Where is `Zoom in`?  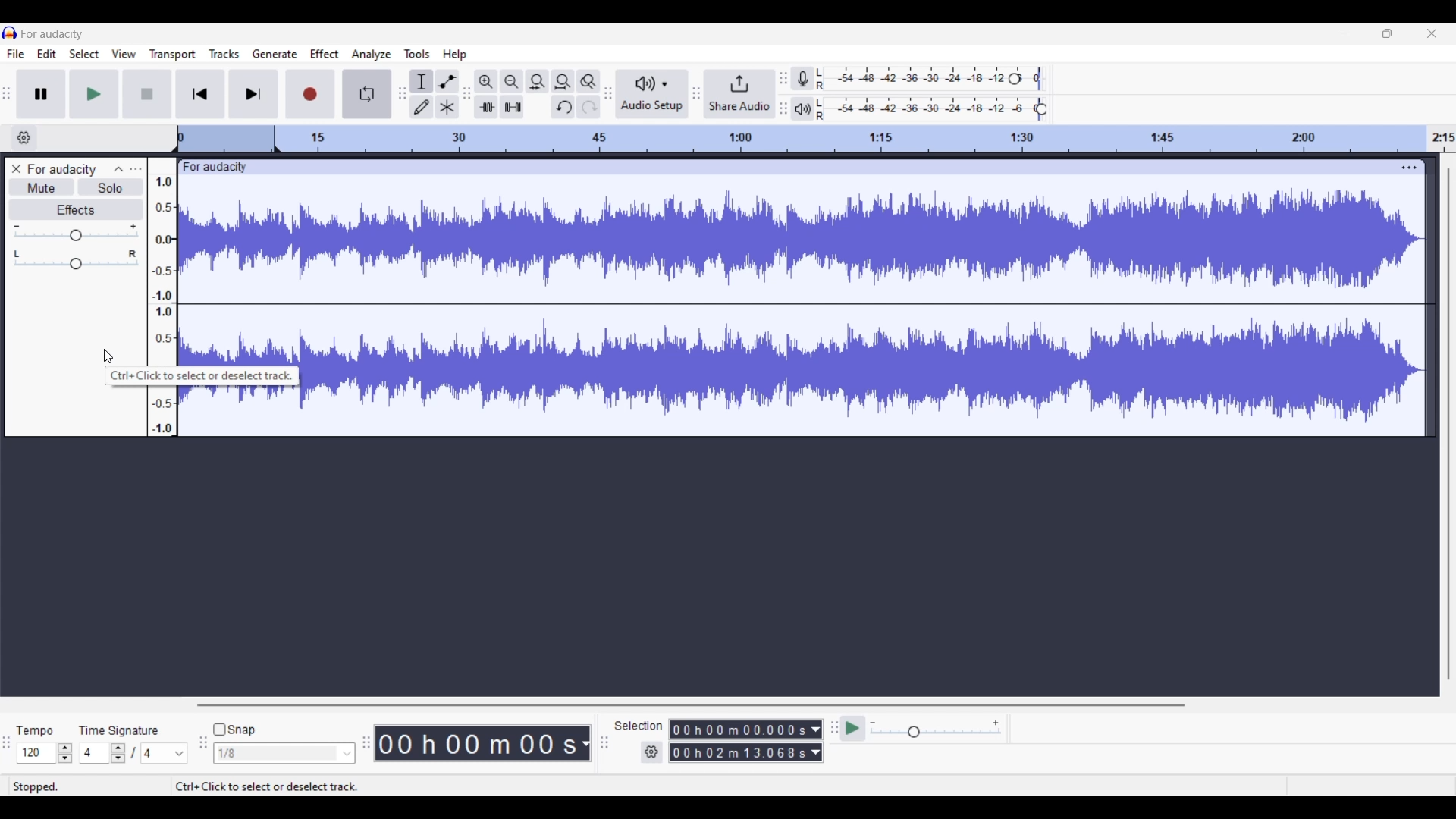 Zoom in is located at coordinates (486, 81).